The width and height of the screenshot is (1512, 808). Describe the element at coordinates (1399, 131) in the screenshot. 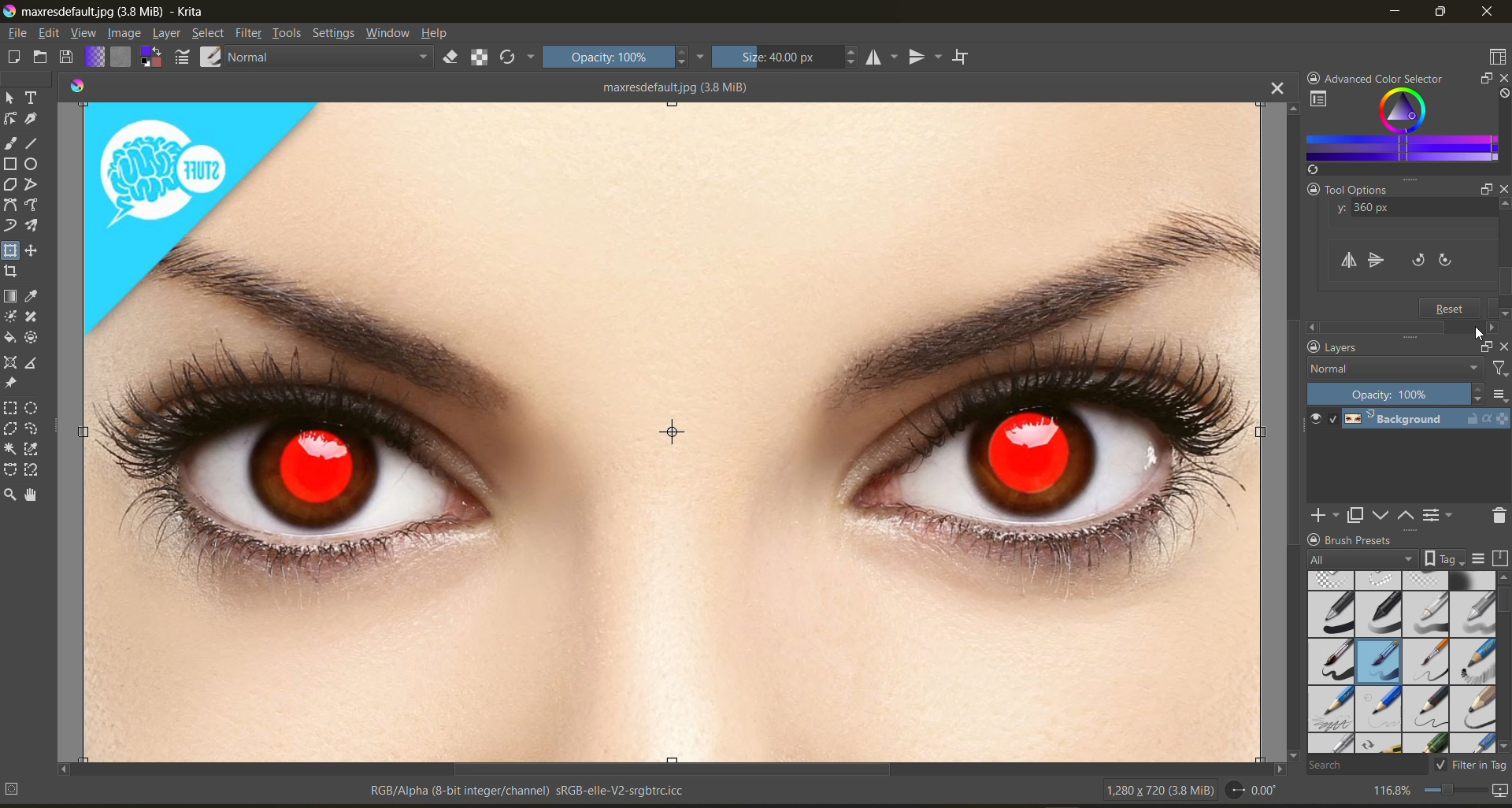

I see `advanced color selector` at that location.